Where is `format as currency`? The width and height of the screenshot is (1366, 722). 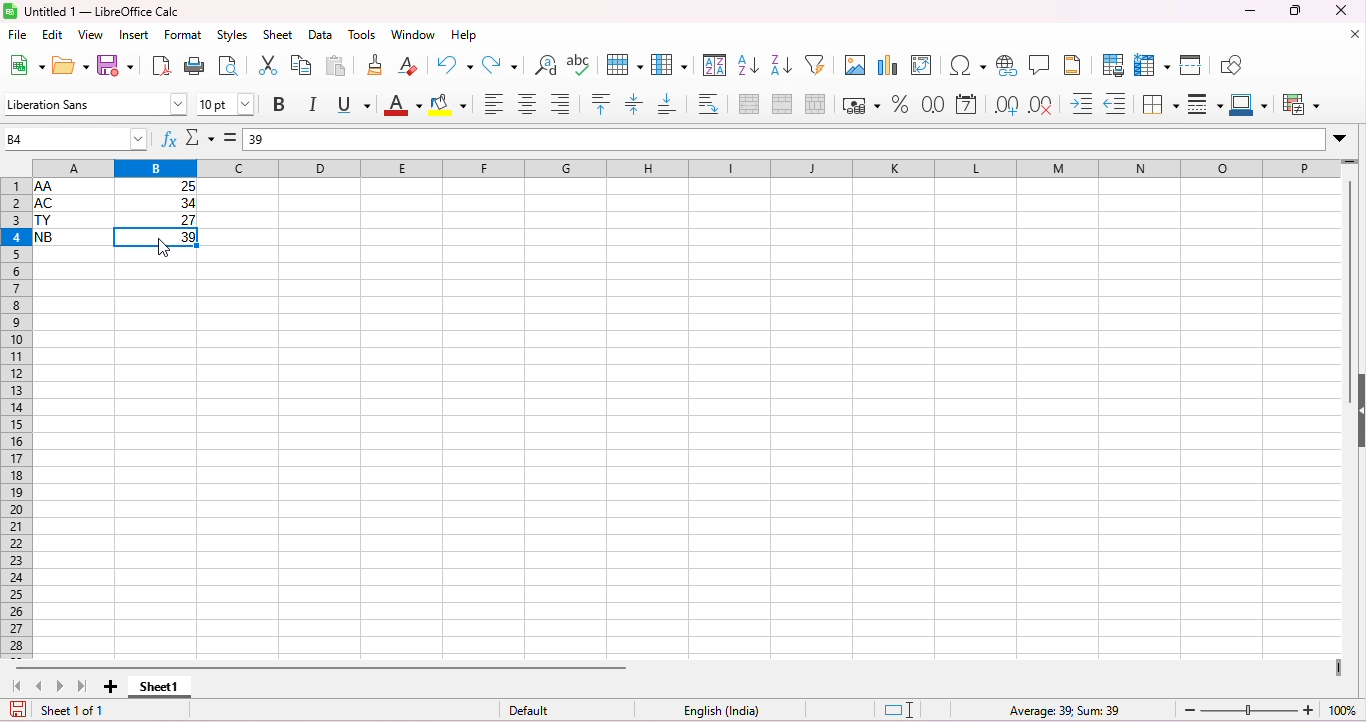 format as currency is located at coordinates (861, 104).